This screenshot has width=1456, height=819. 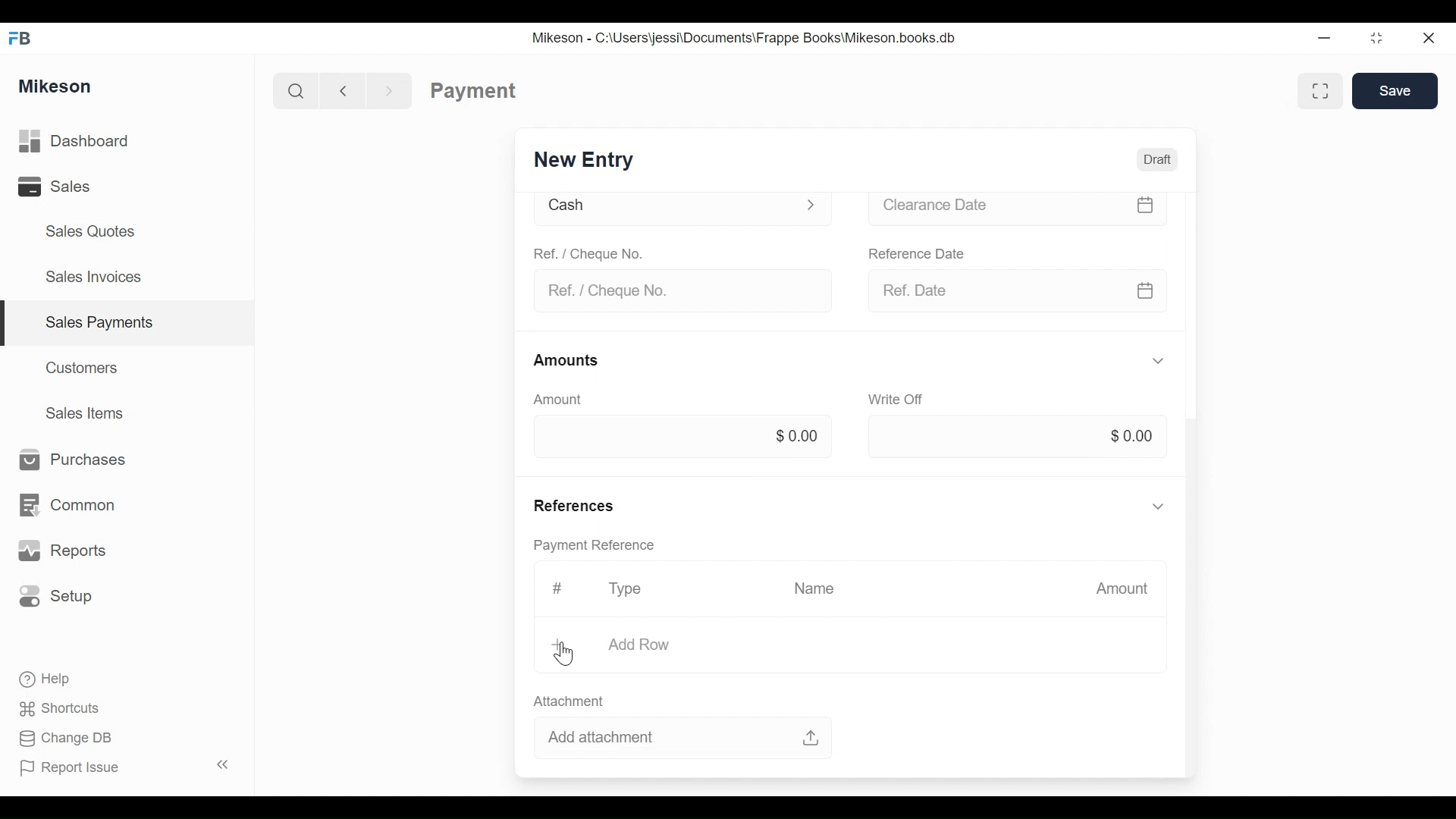 I want to click on Payment reference, so click(x=598, y=547).